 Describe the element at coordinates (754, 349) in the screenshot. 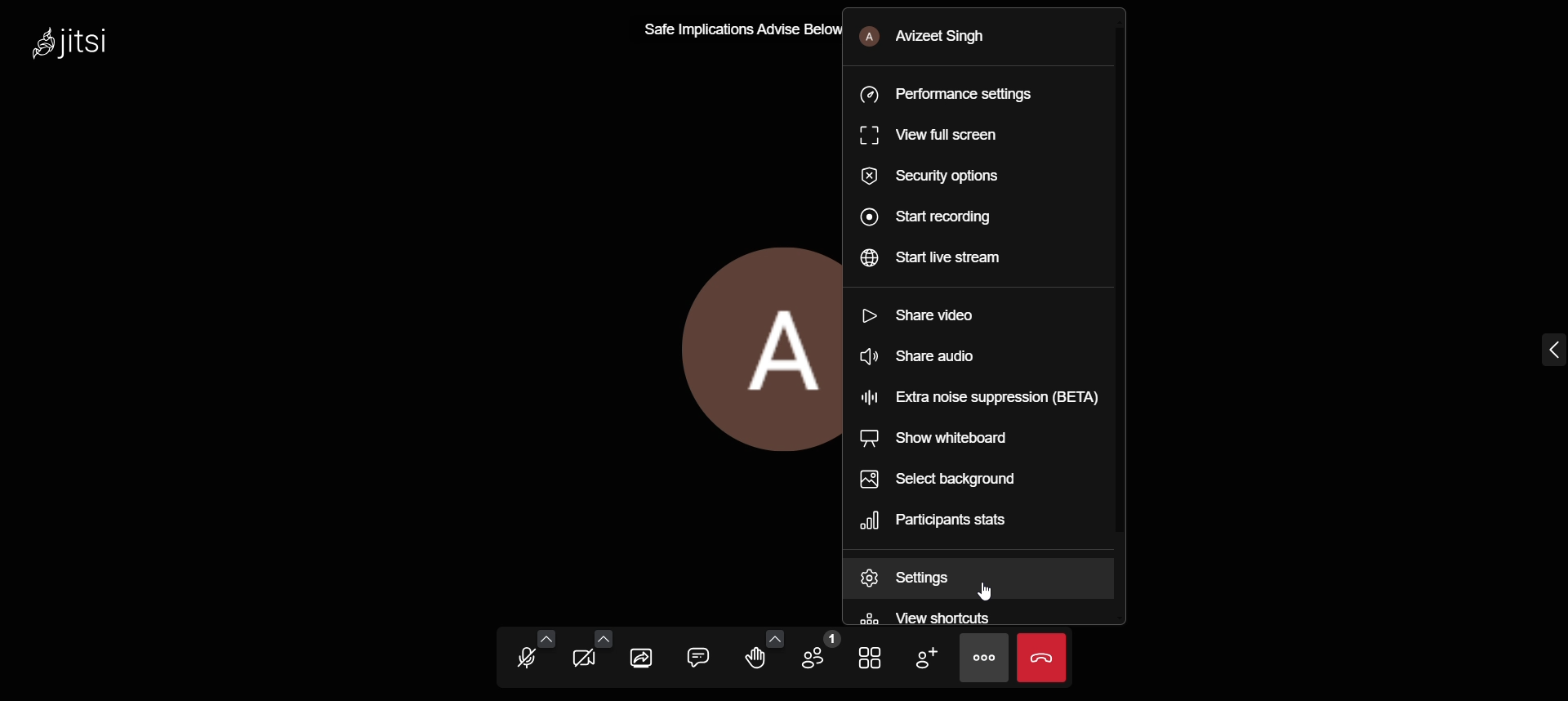

I see `display picture` at that location.